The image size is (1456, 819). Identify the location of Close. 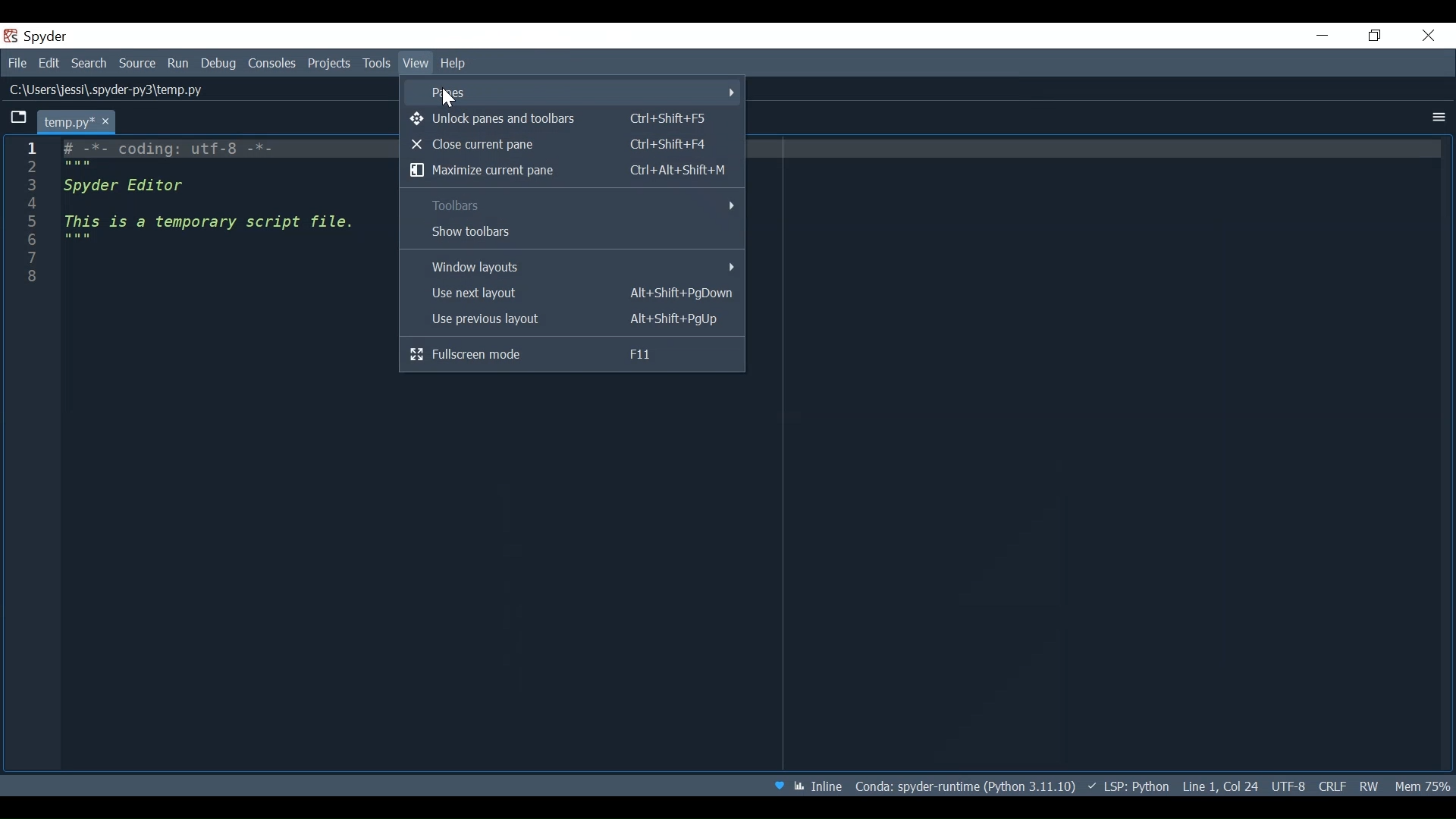
(1429, 36).